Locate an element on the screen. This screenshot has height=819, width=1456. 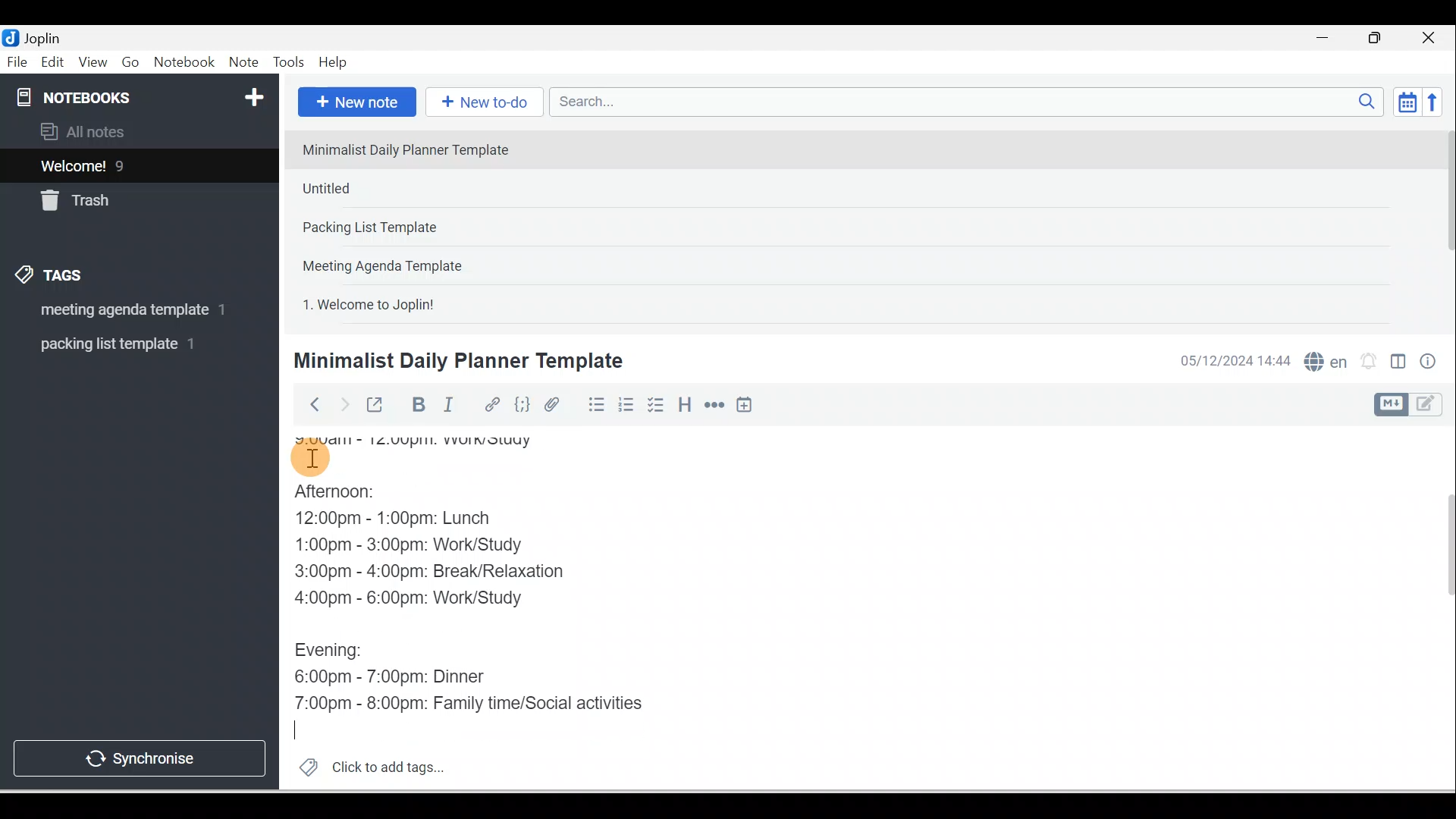
Numbered list is located at coordinates (626, 404).